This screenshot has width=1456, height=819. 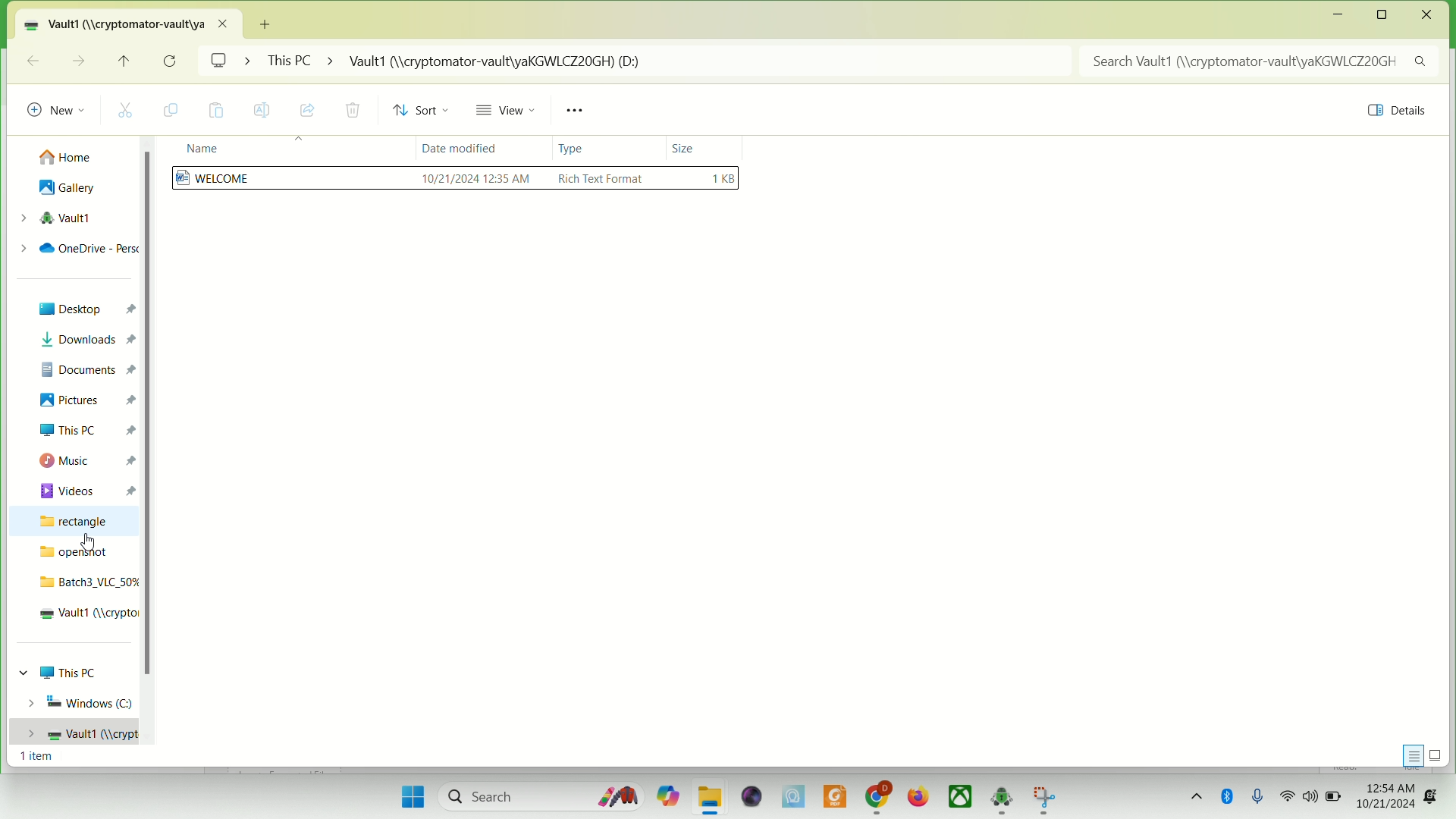 What do you see at coordinates (85, 340) in the screenshot?
I see `downloads` at bounding box center [85, 340].